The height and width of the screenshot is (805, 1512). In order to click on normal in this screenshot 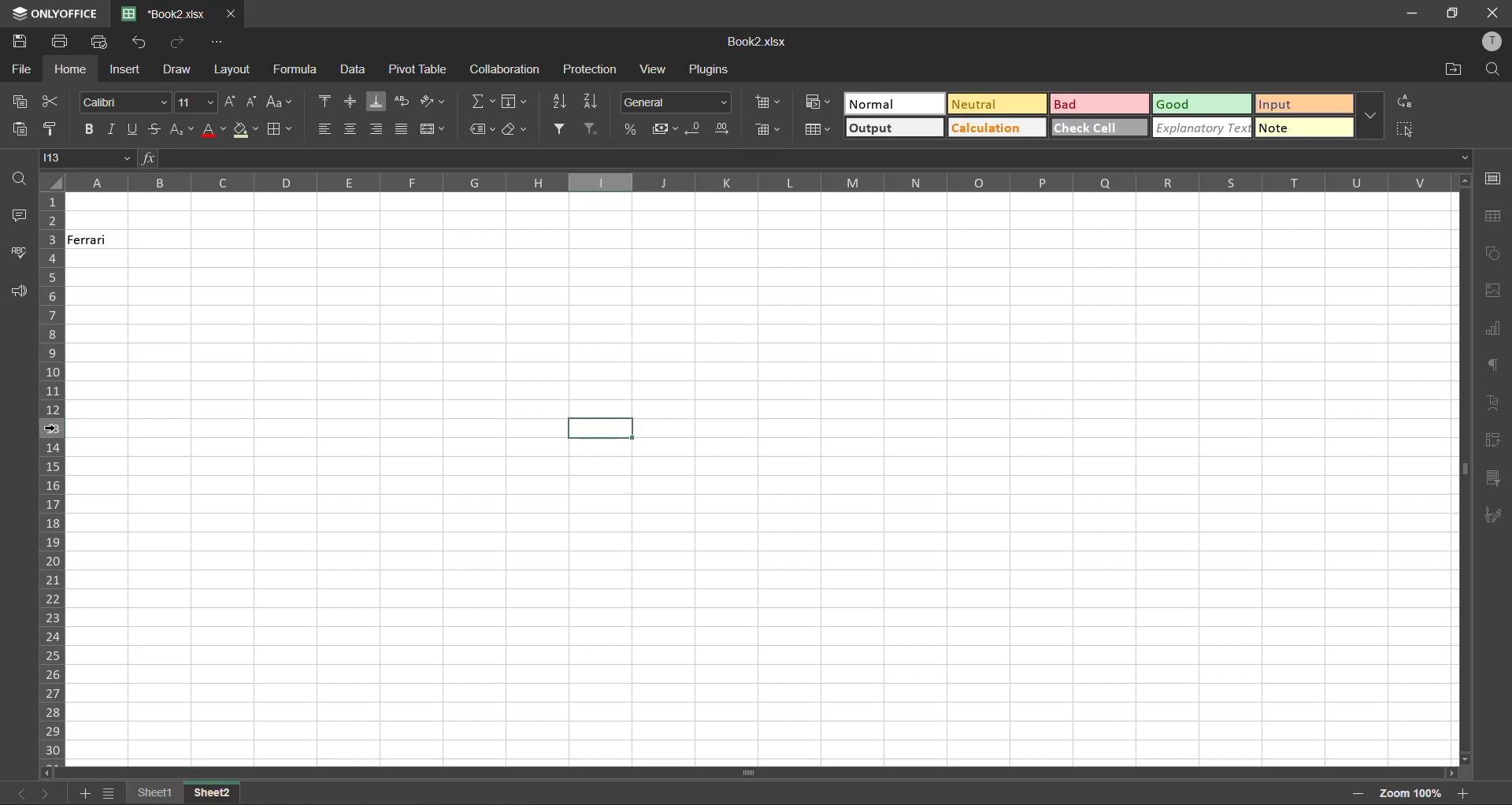, I will do `click(895, 105)`.